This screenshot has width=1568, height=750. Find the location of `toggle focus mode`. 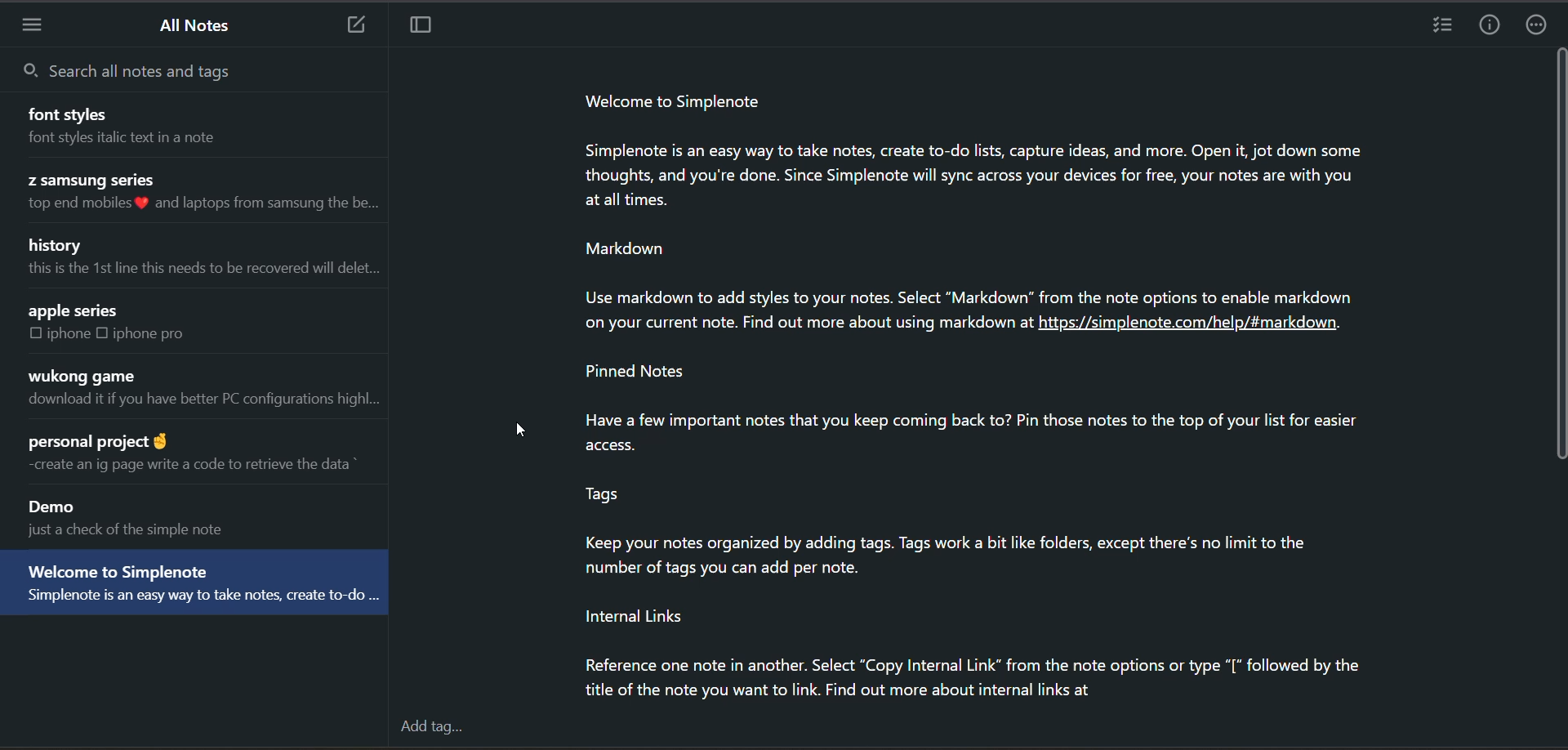

toggle focus mode is located at coordinates (421, 27).